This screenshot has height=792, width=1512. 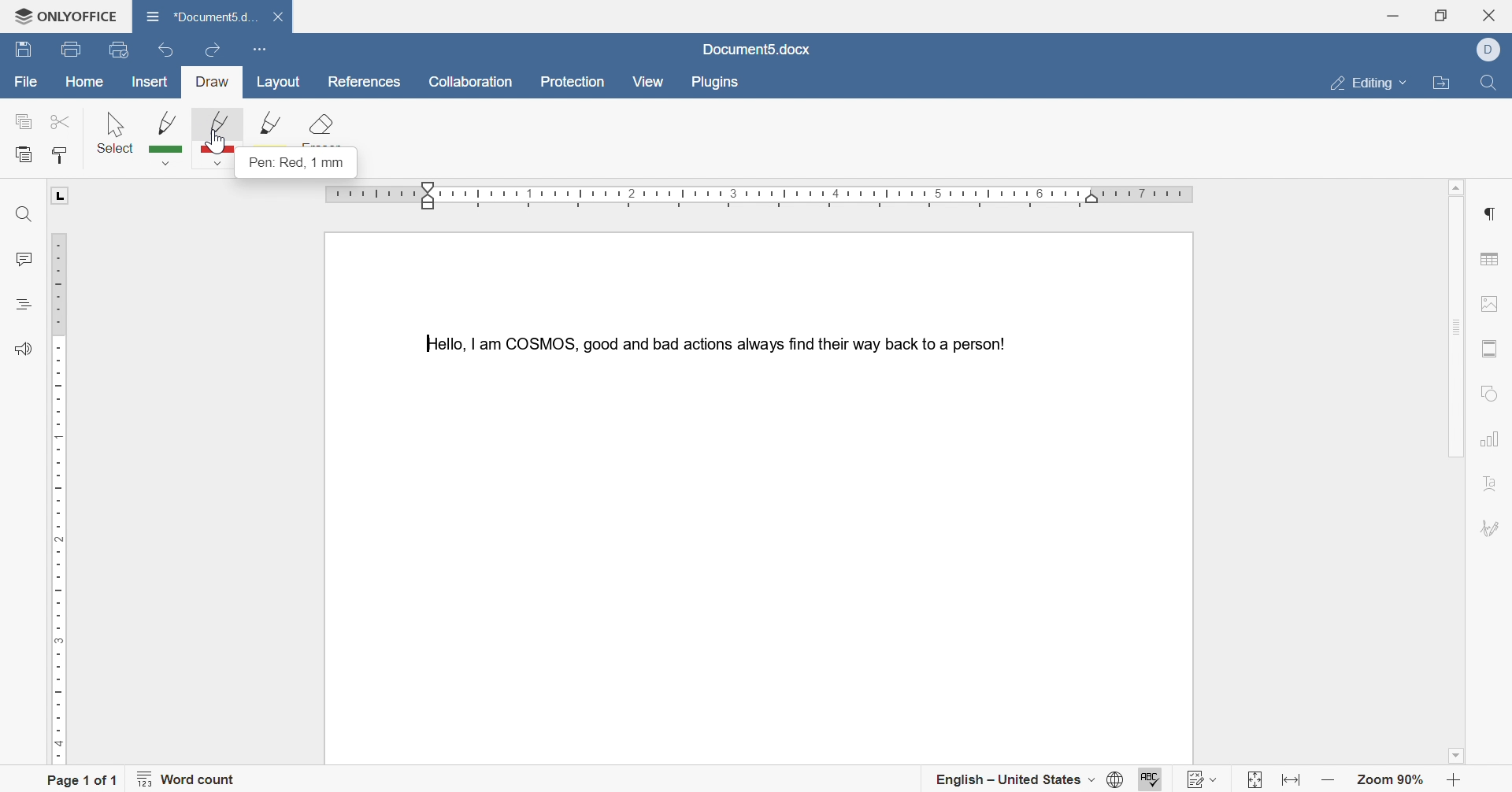 I want to click on find, so click(x=21, y=216).